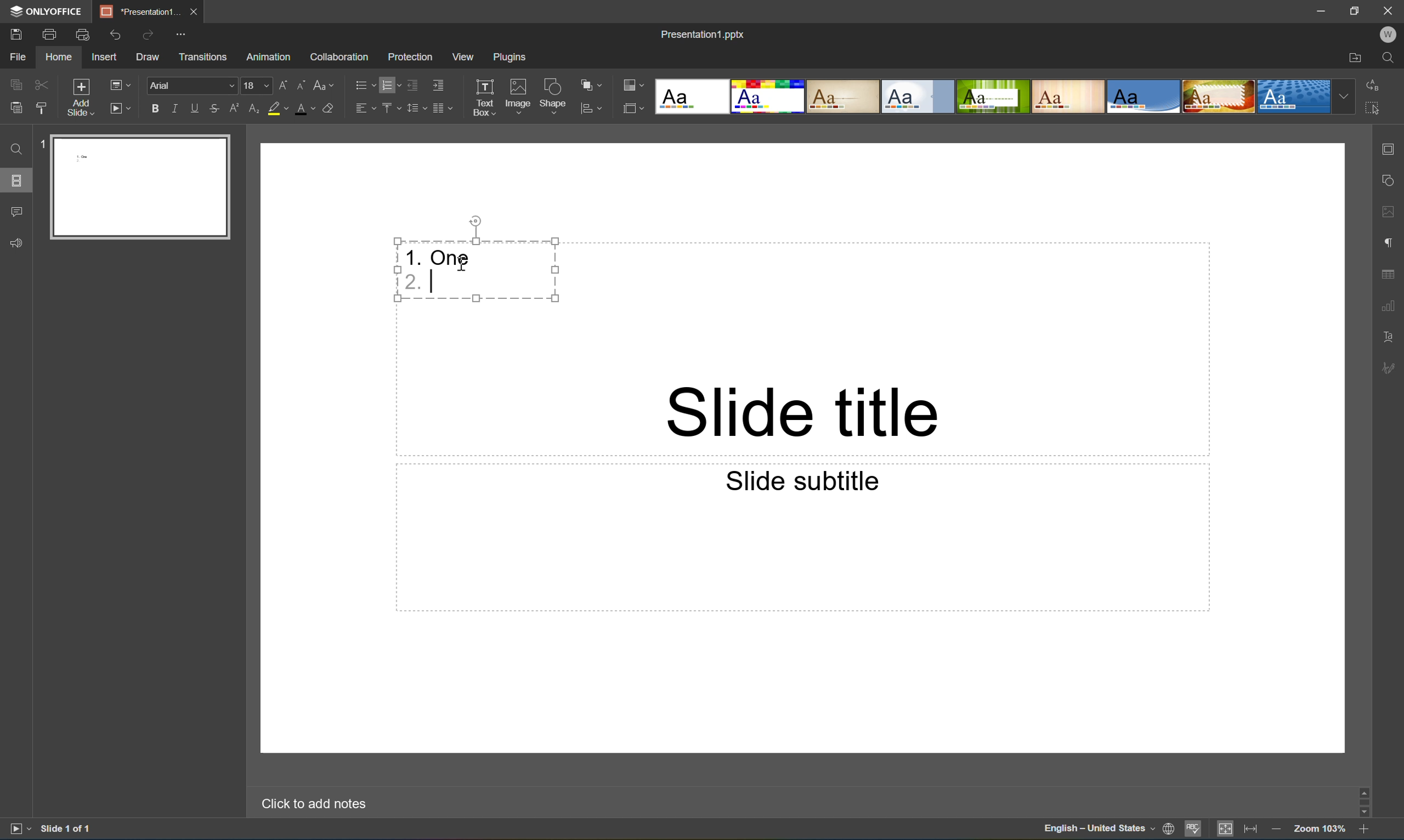  Describe the element at coordinates (438, 86) in the screenshot. I see `Increase indent` at that location.